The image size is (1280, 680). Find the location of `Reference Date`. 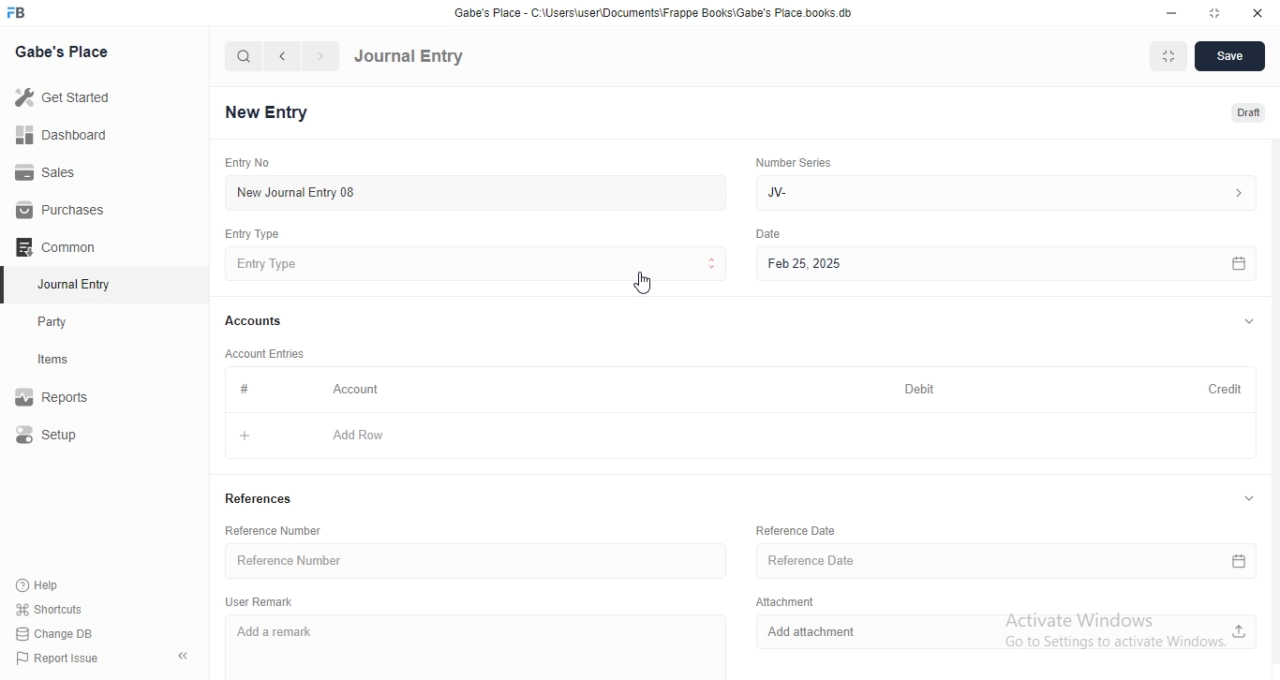

Reference Date is located at coordinates (1004, 561).